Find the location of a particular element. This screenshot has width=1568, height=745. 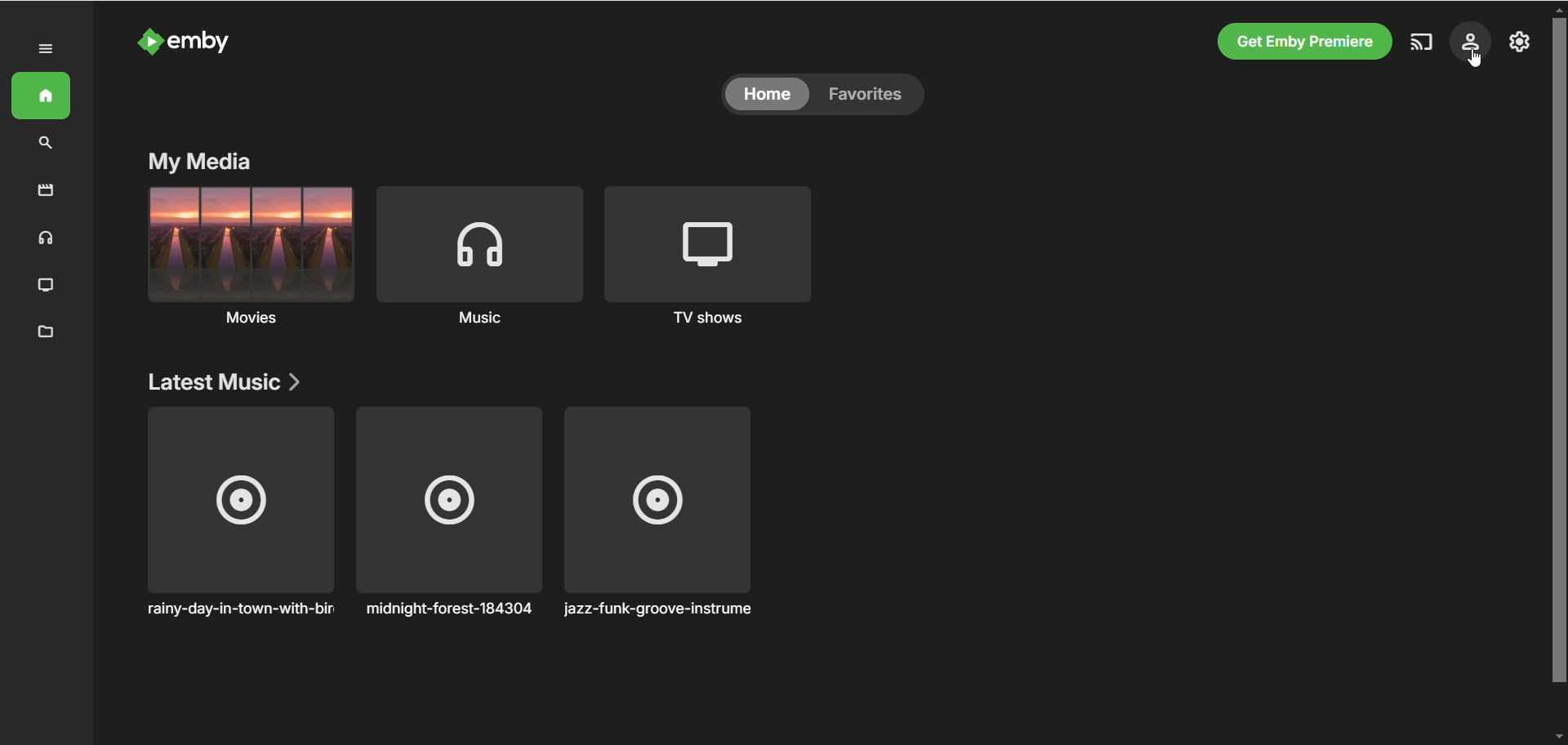

music is located at coordinates (483, 243).